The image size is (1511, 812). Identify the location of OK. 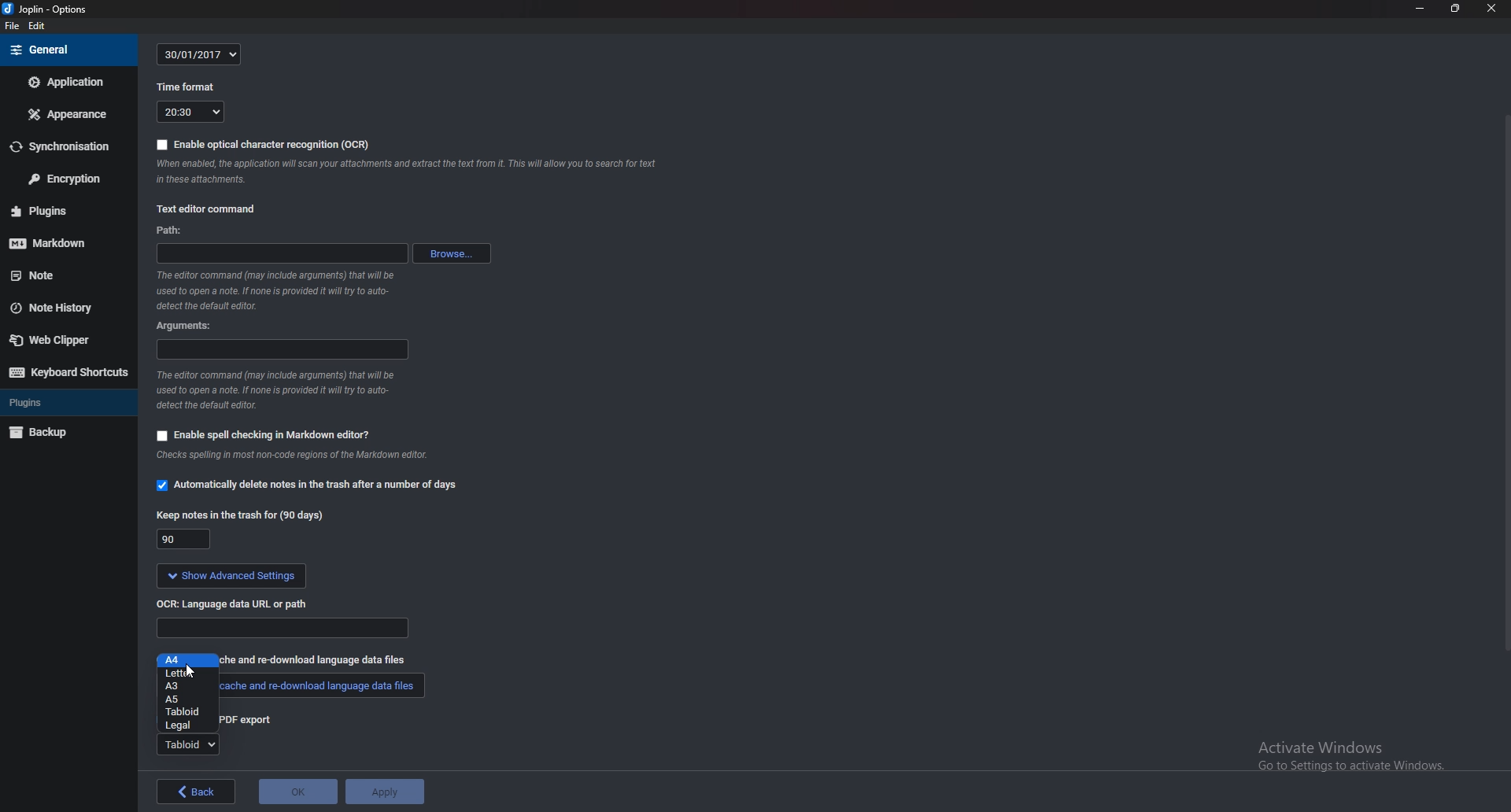
(298, 792).